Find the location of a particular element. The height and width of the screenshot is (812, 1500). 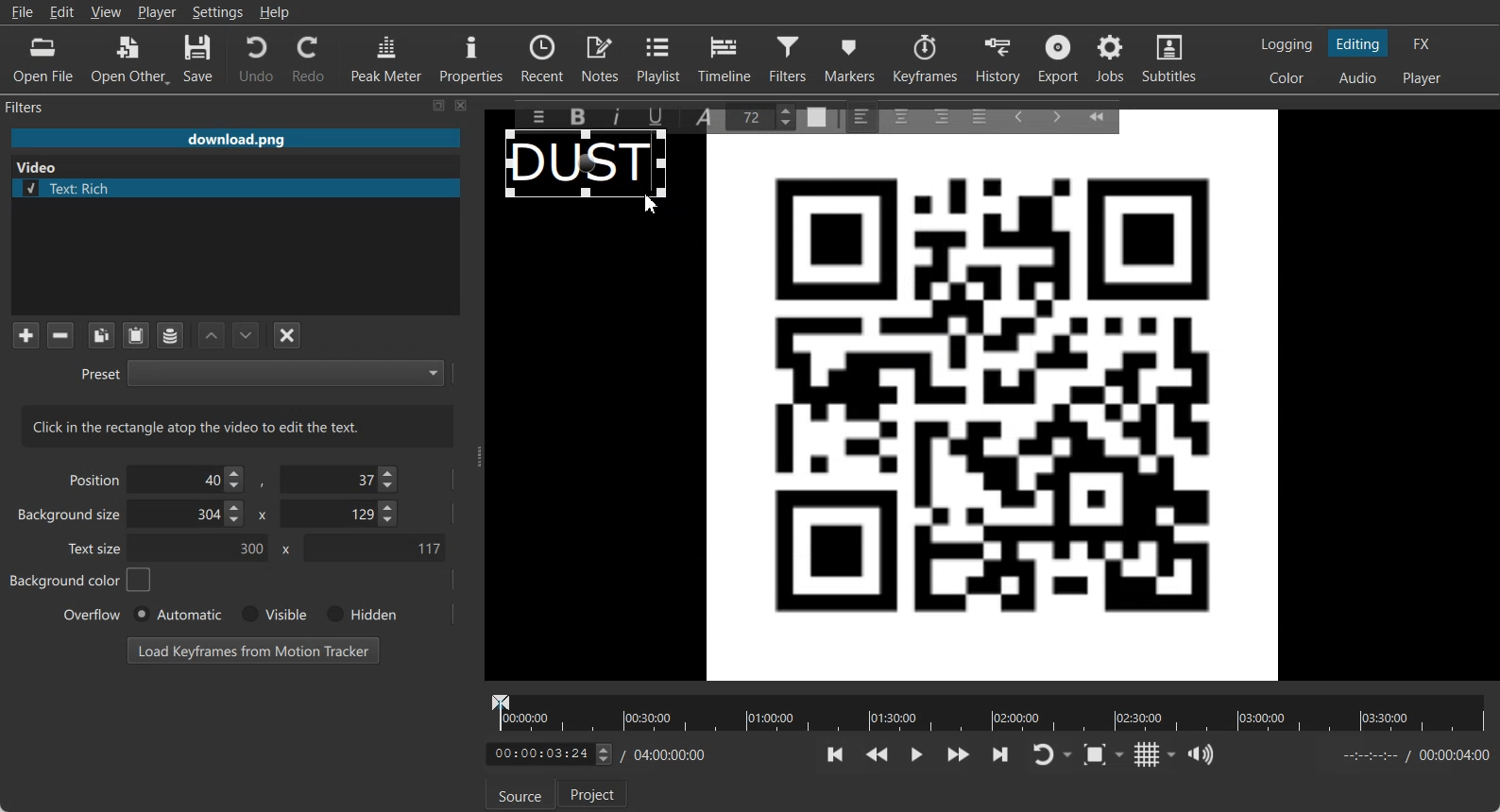

Help is located at coordinates (275, 12).